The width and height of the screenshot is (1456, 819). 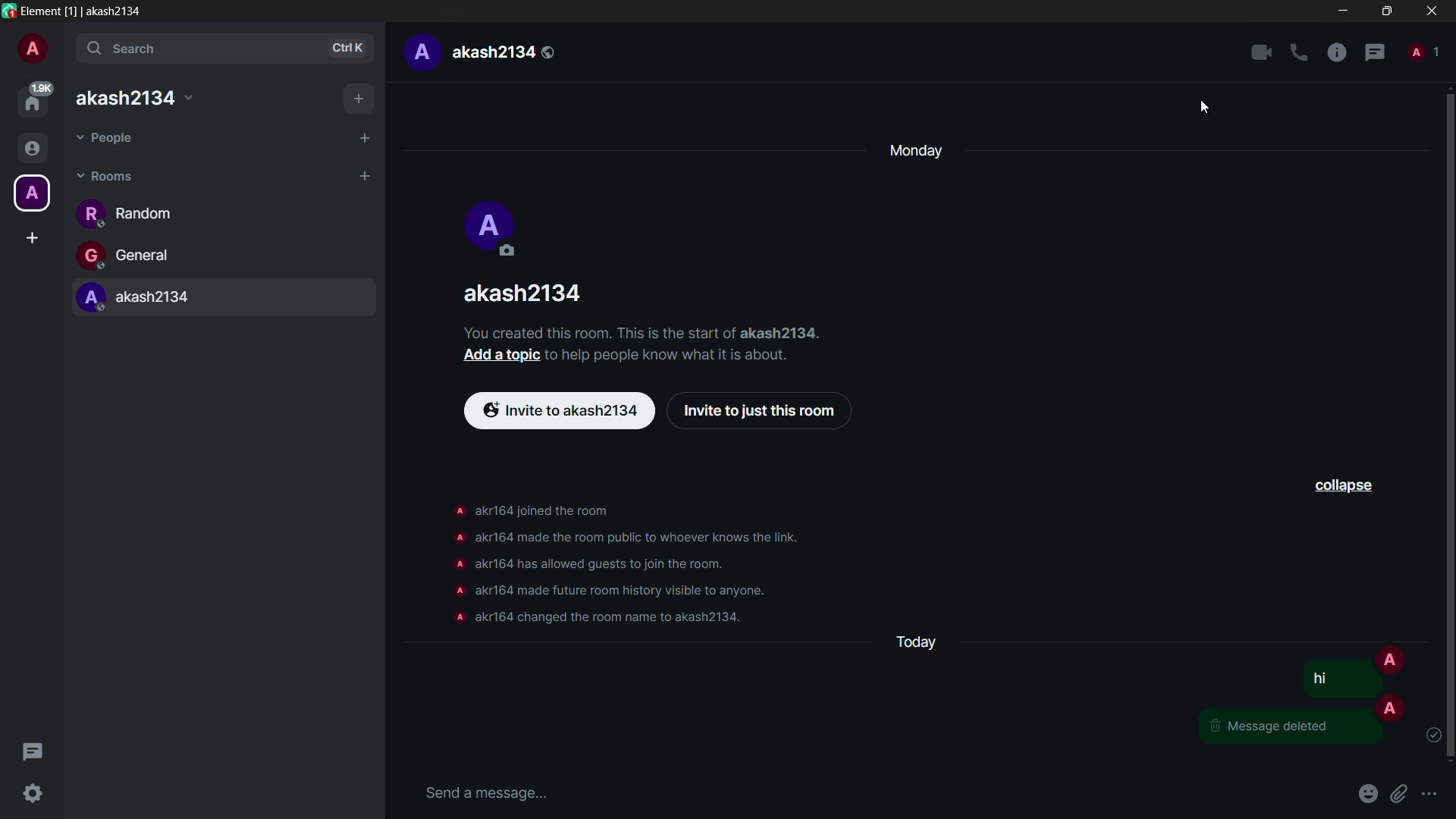 I want to click on threads, so click(x=31, y=754).